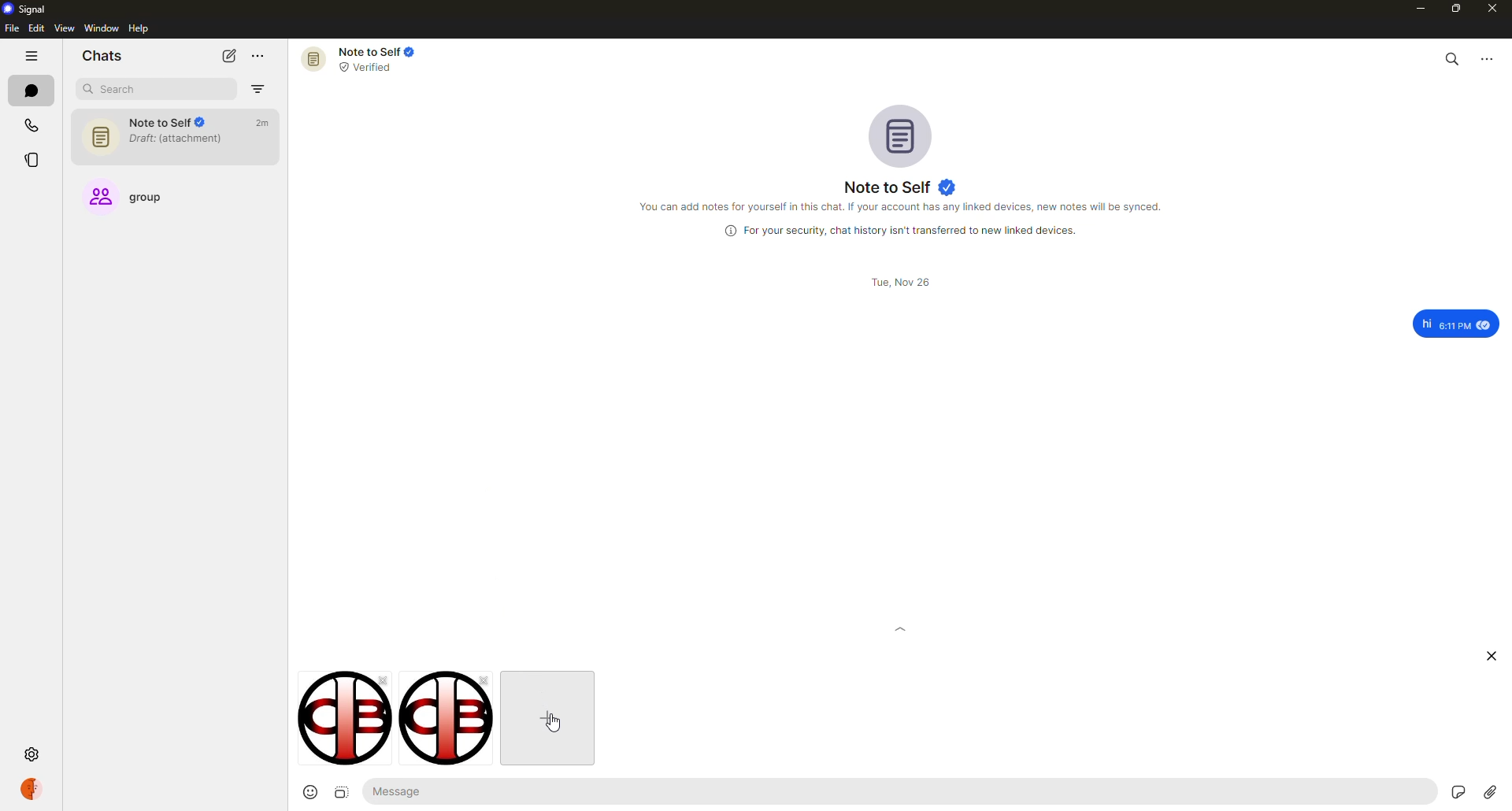 This screenshot has width=1512, height=811. I want to click on image, so click(440, 720).